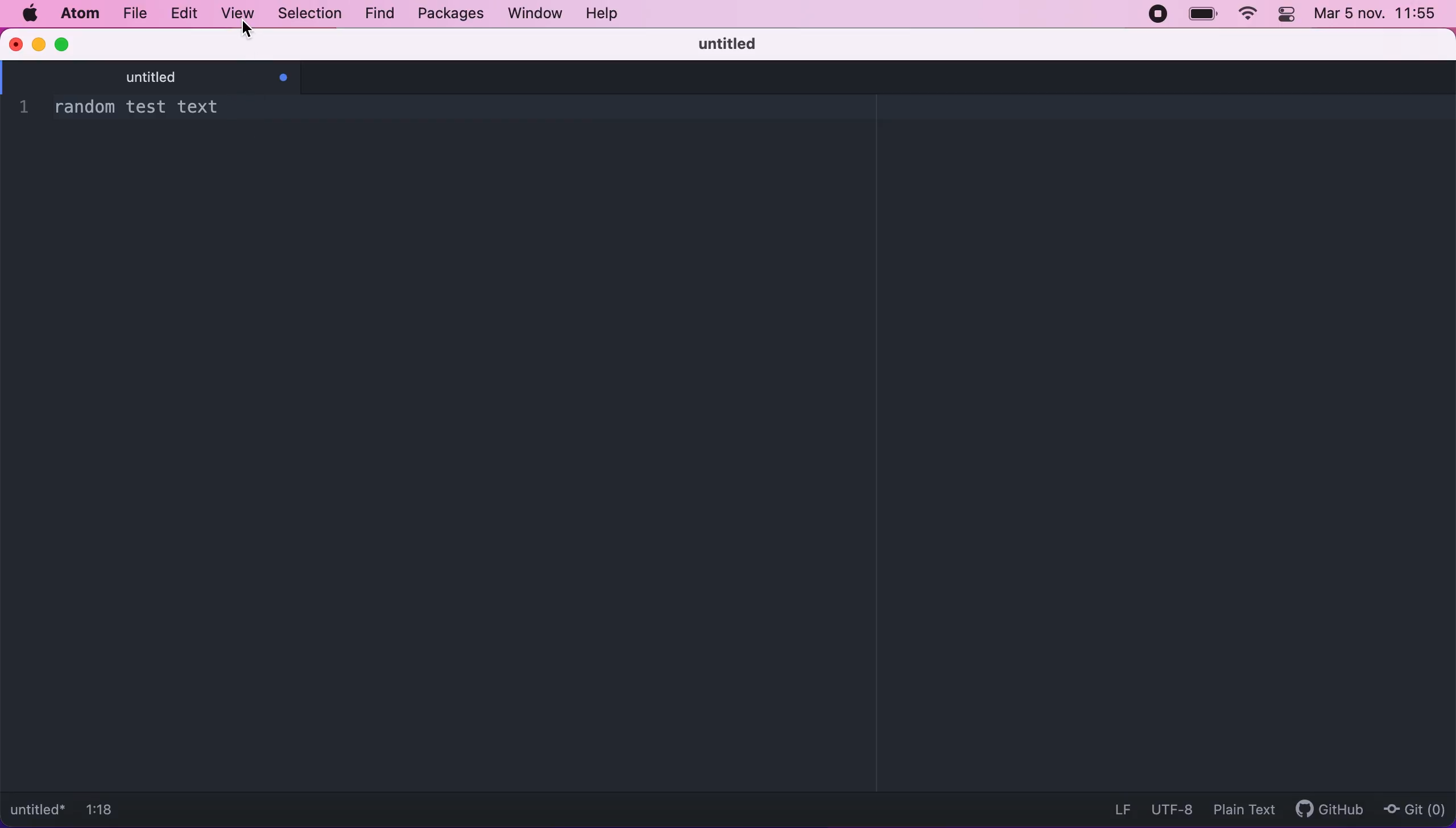 The height and width of the screenshot is (828, 1456). I want to click on find, so click(379, 15).